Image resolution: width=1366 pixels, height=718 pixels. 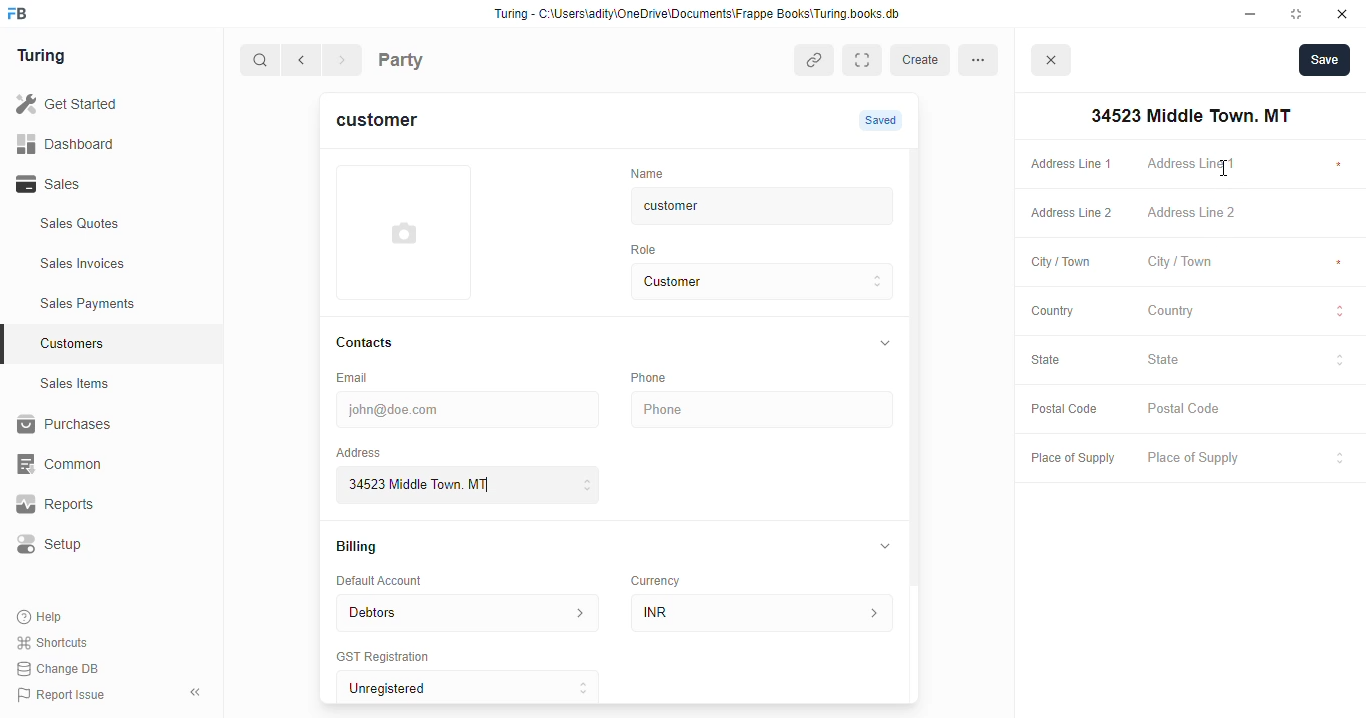 What do you see at coordinates (1345, 14) in the screenshot?
I see `close` at bounding box center [1345, 14].